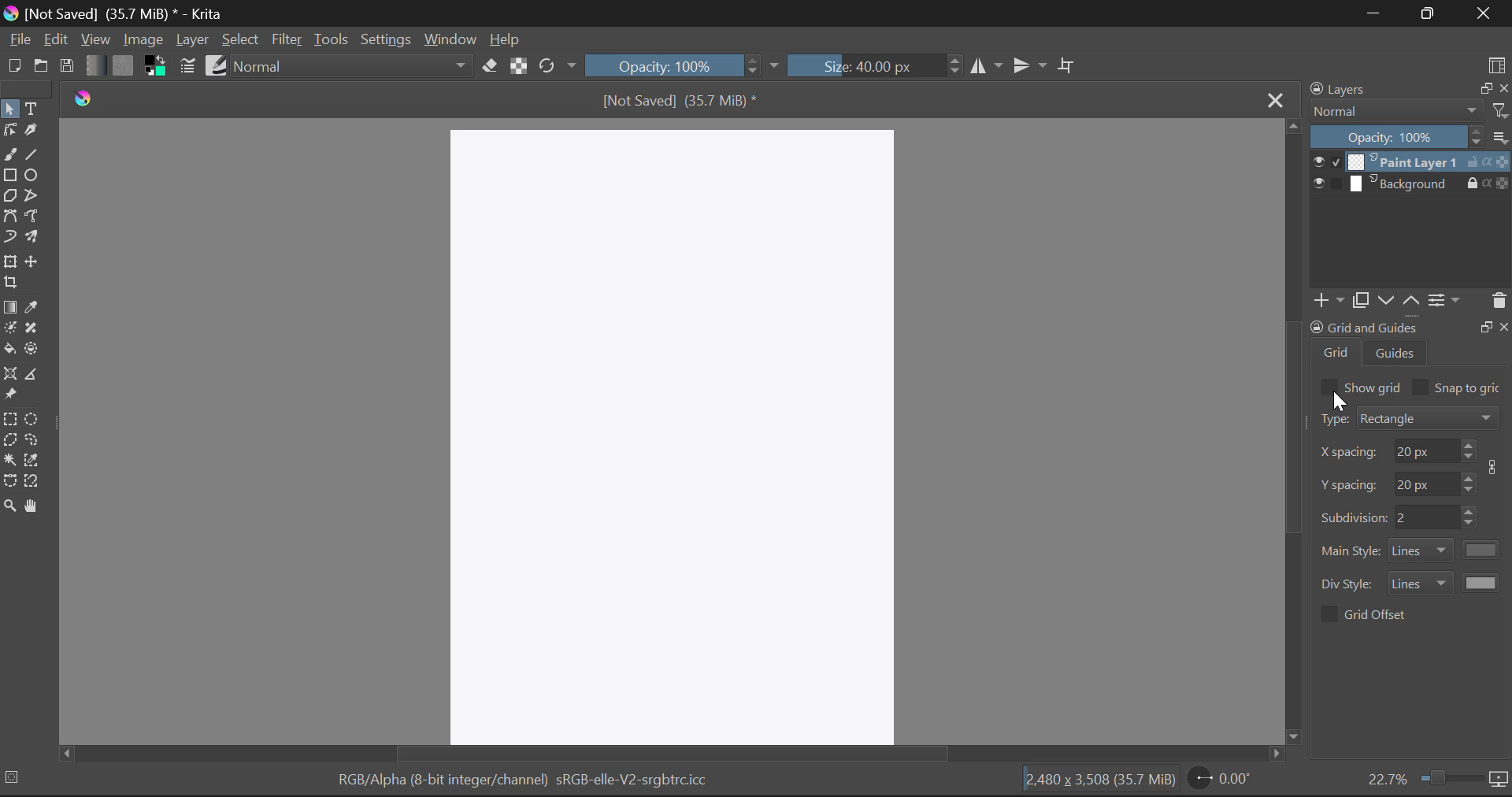  What do you see at coordinates (35, 239) in the screenshot?
I see `Multibrush Tool` at bounding box center [35, 239].